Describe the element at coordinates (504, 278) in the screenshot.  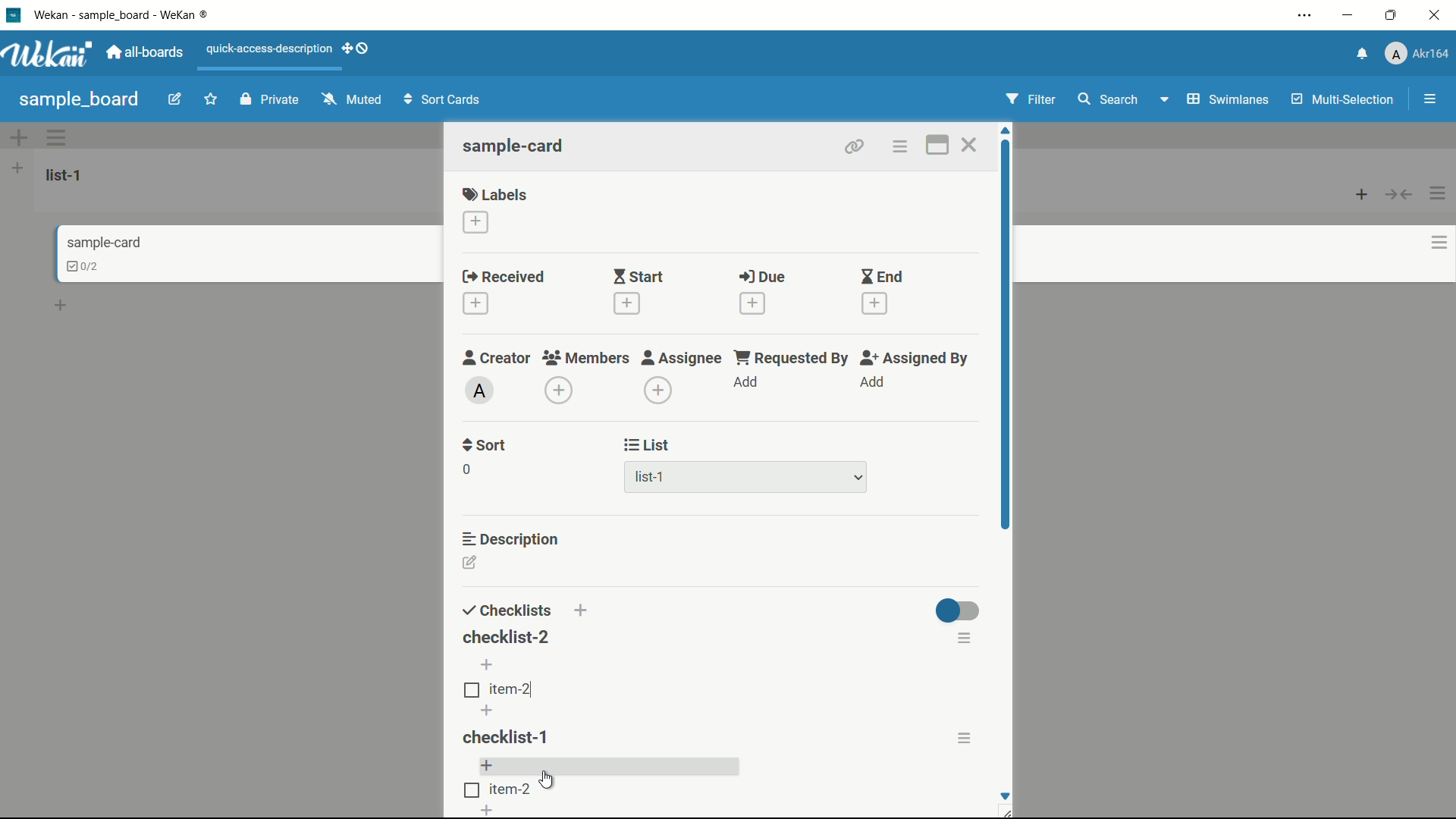
I see `received` at that location.